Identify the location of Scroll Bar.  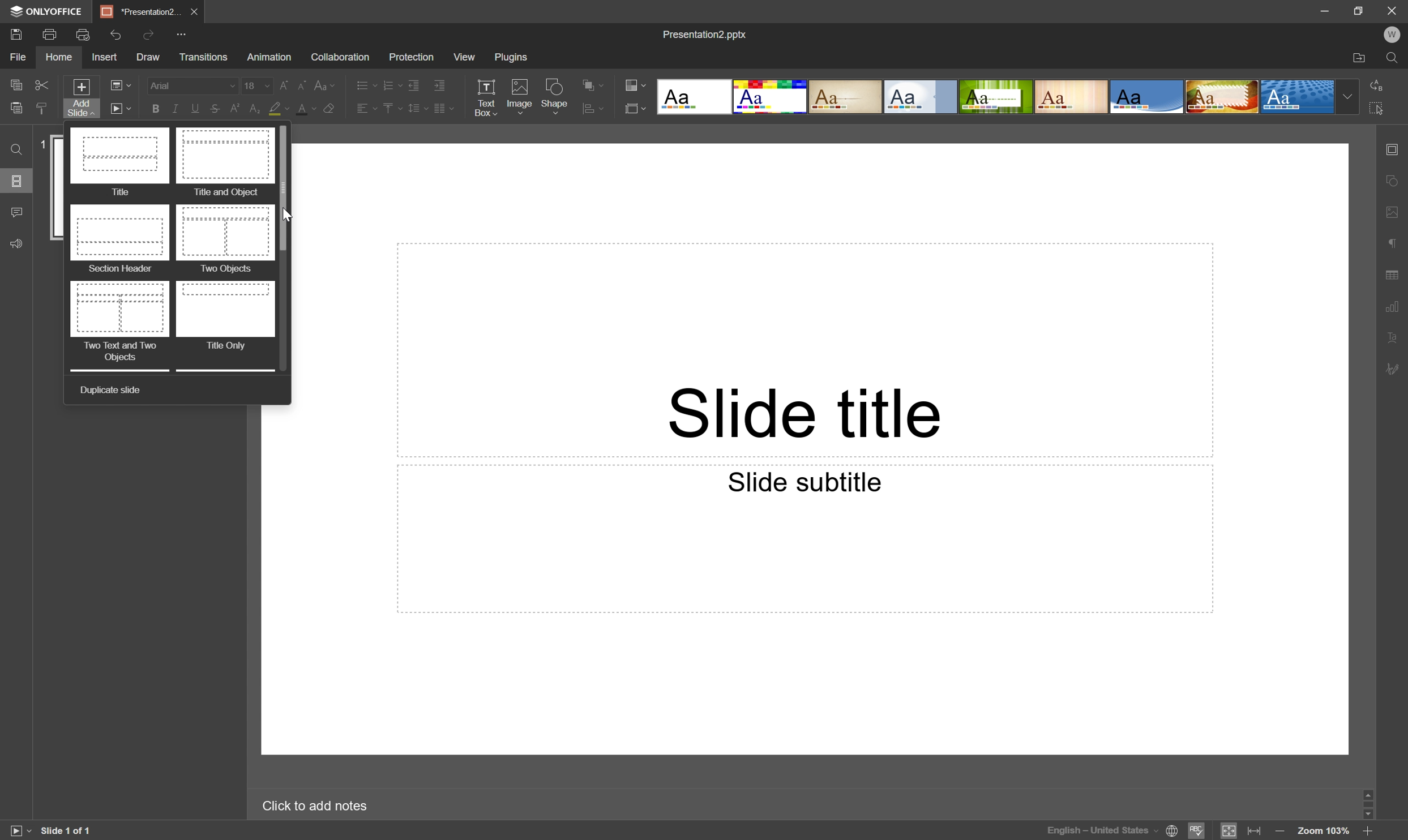
(284, 188).